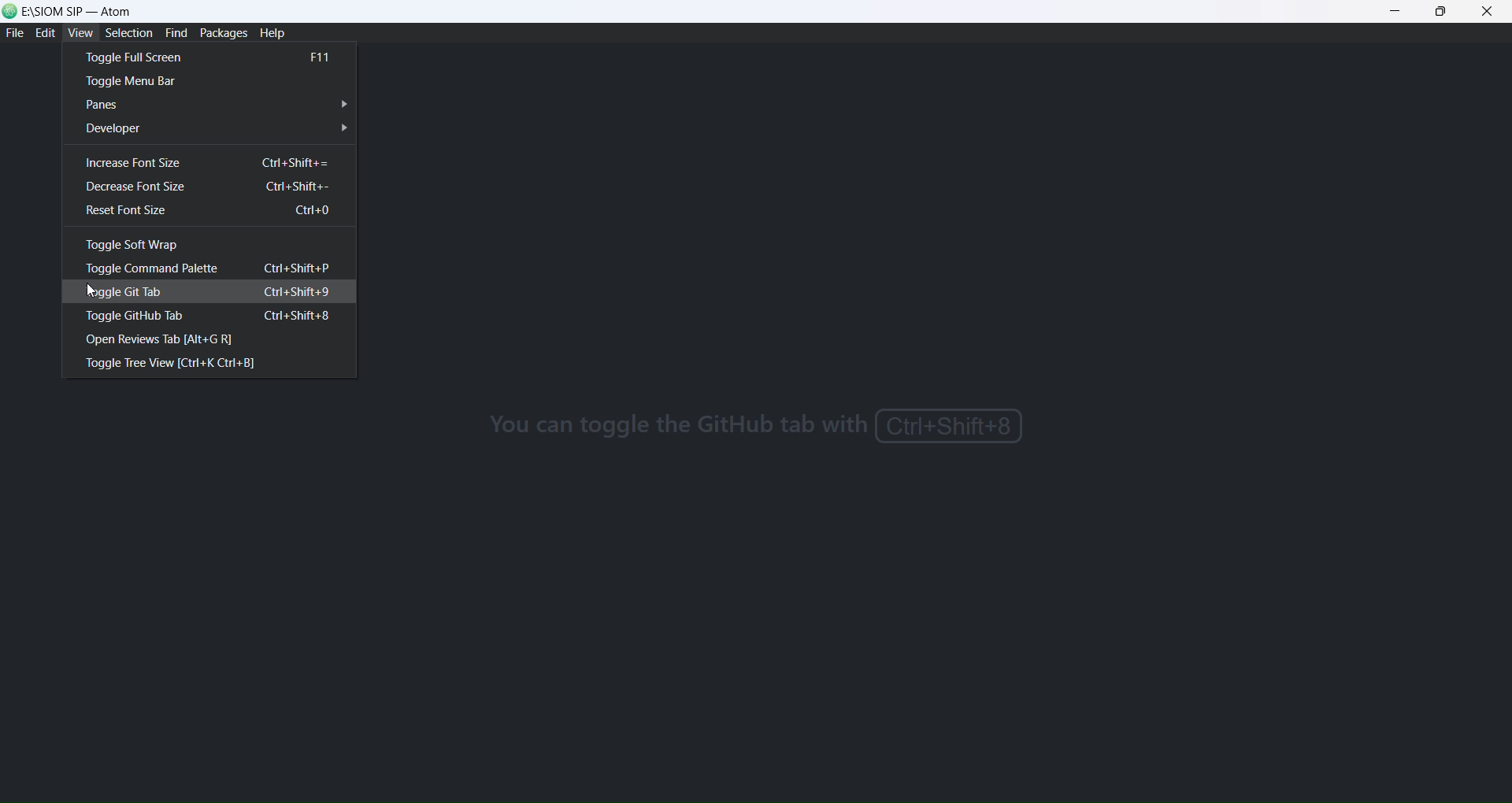 Image resolution: width=1512 pixels, height=803 pixels. I want to click on you can toggle github using shortcut, so click(757, 427).